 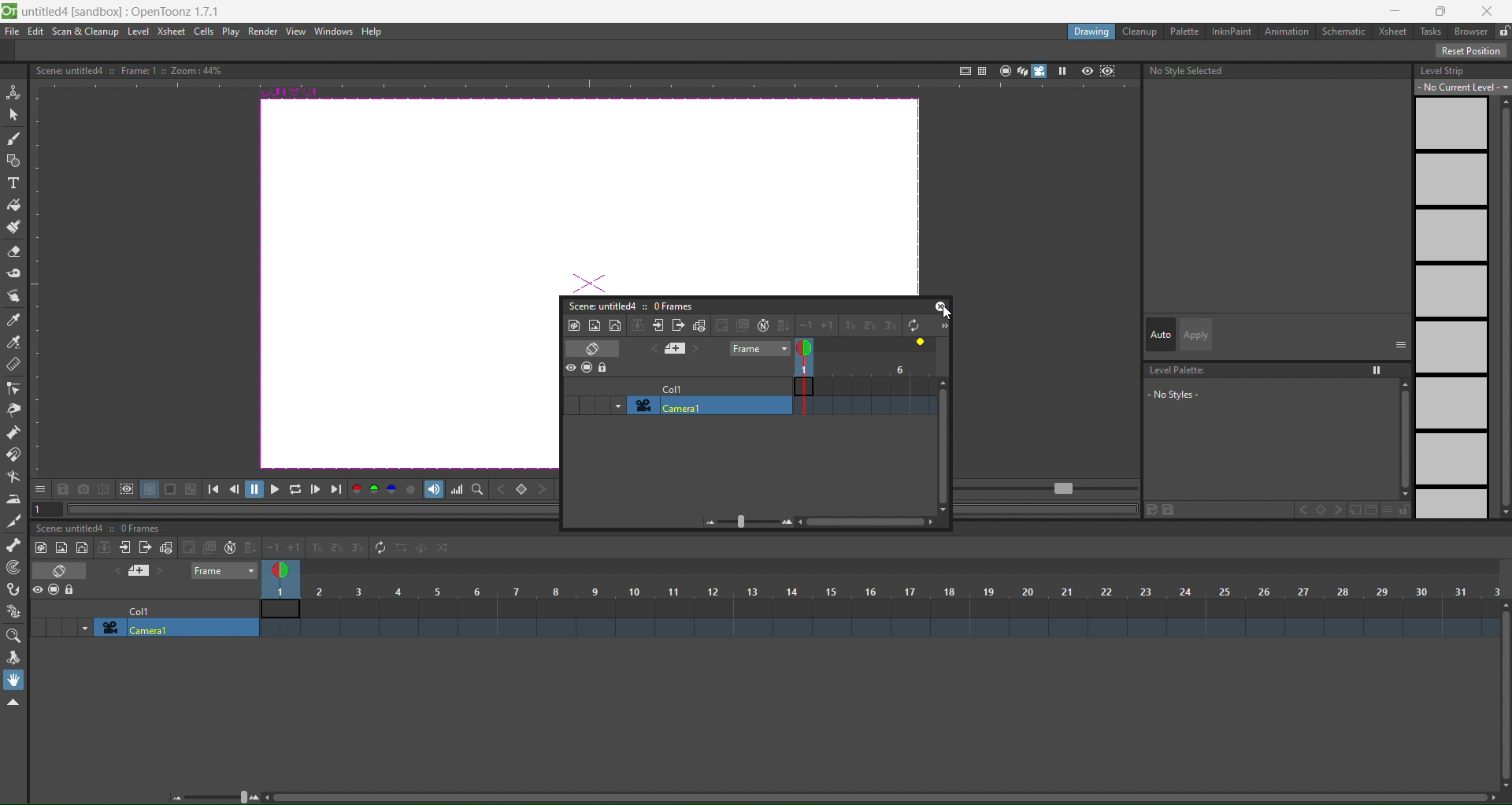 What do you see at coordinates (1195, 335) in the screenshot?
I see `apply` at bounding box center [1195, 335].